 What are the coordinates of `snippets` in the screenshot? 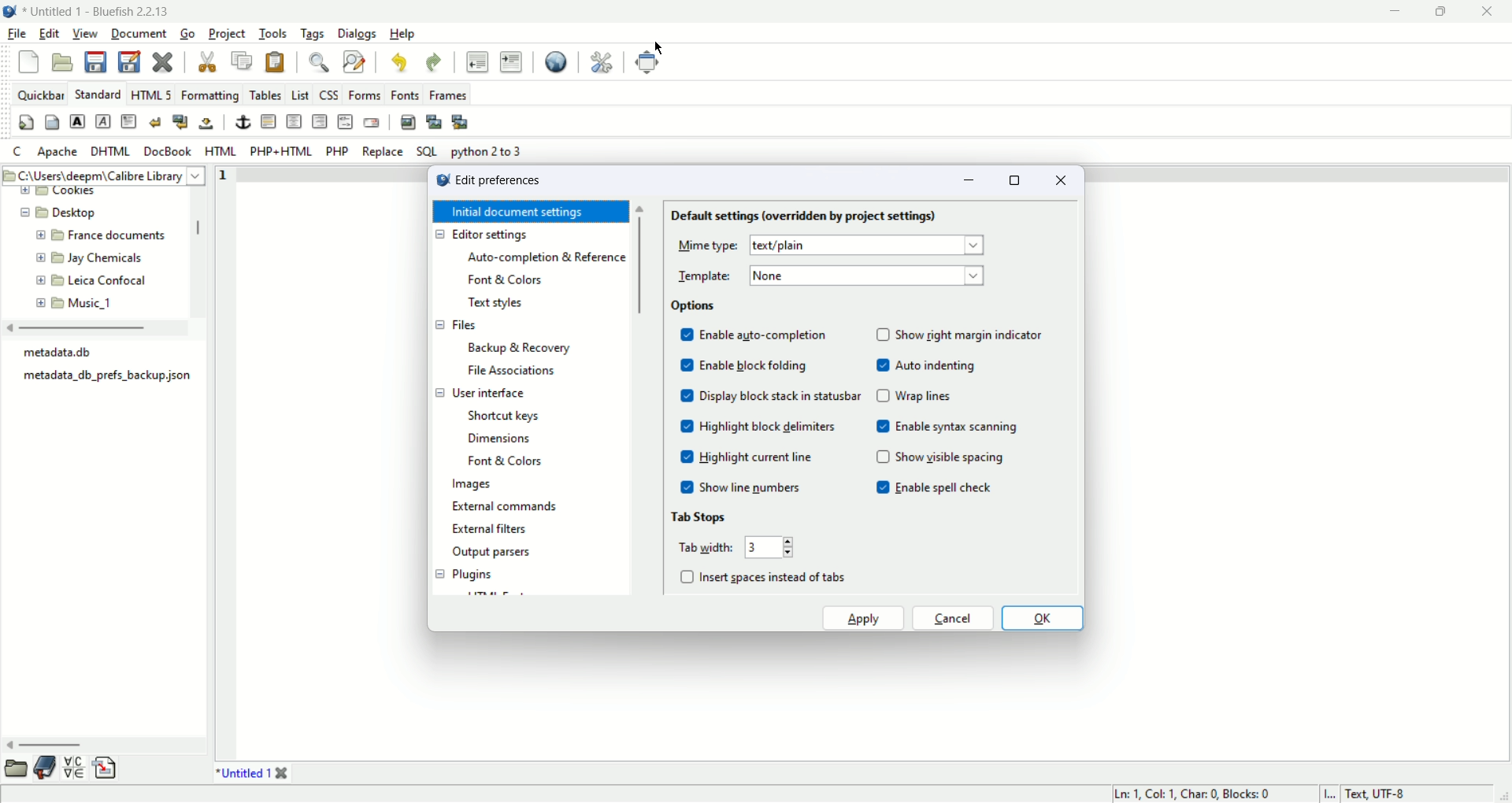 It's located at (109, 768).